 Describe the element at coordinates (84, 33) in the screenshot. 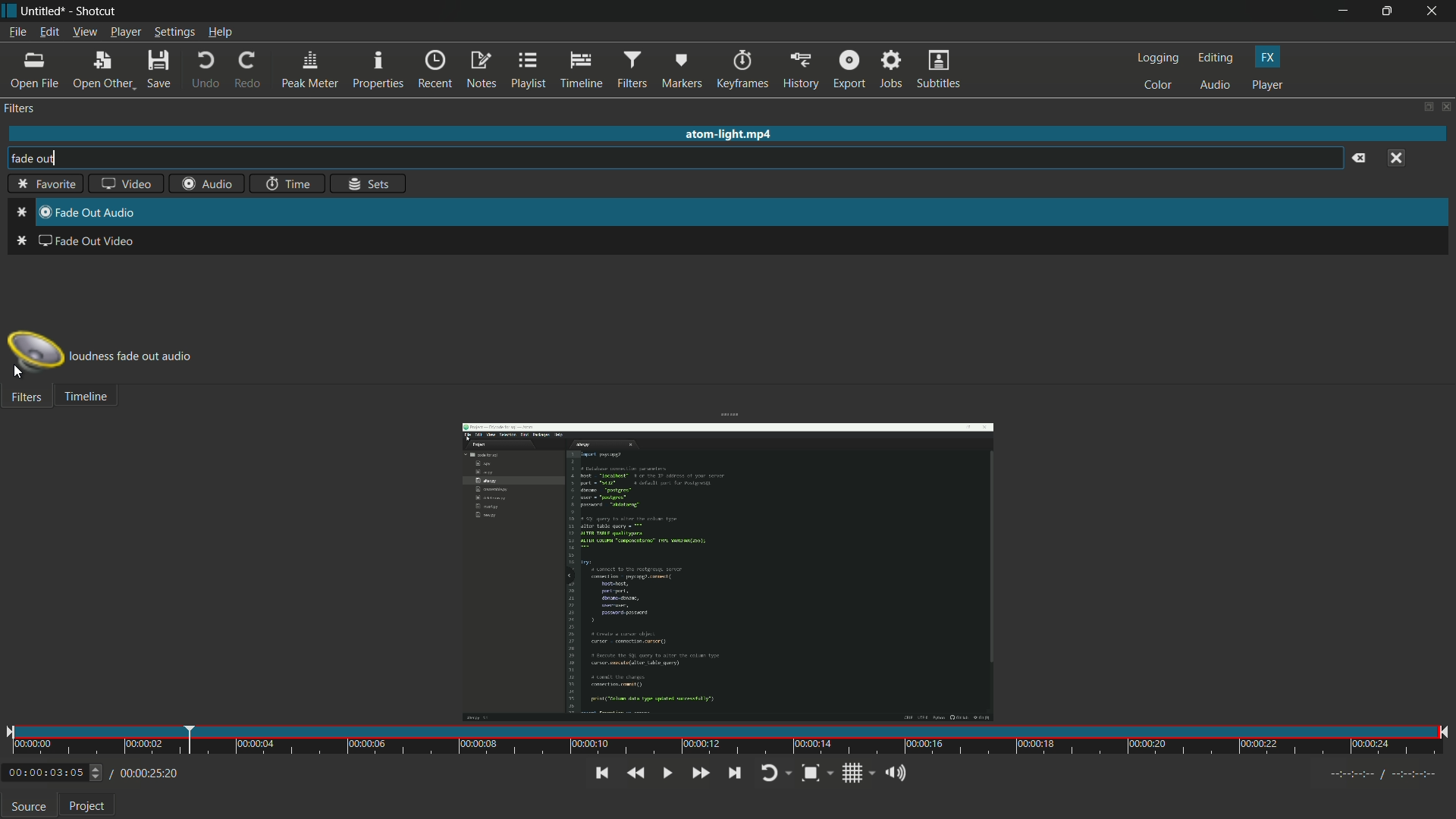

I see `view menu` at that location.